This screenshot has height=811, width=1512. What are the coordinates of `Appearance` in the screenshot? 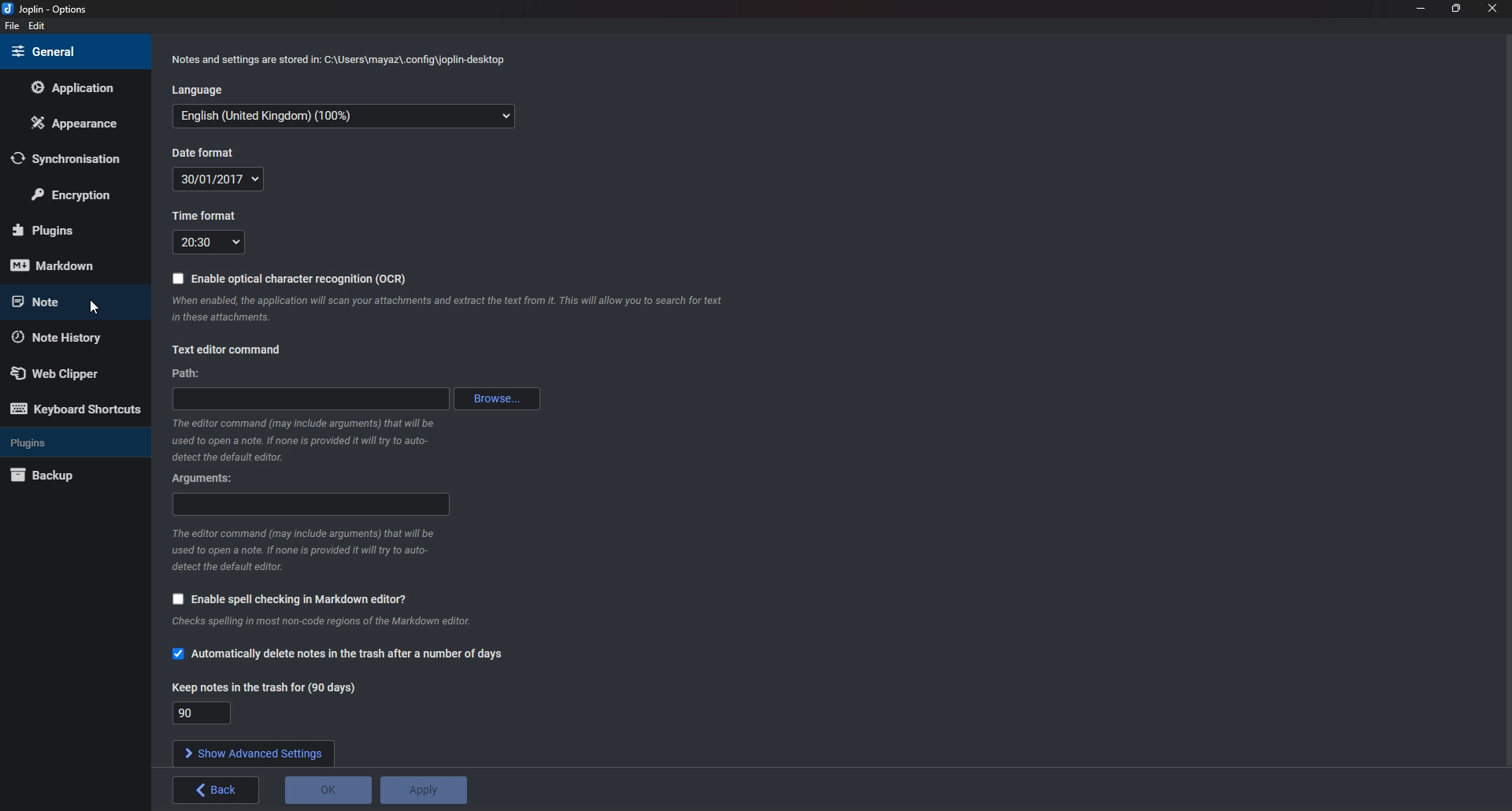 It's located at (76, 126).